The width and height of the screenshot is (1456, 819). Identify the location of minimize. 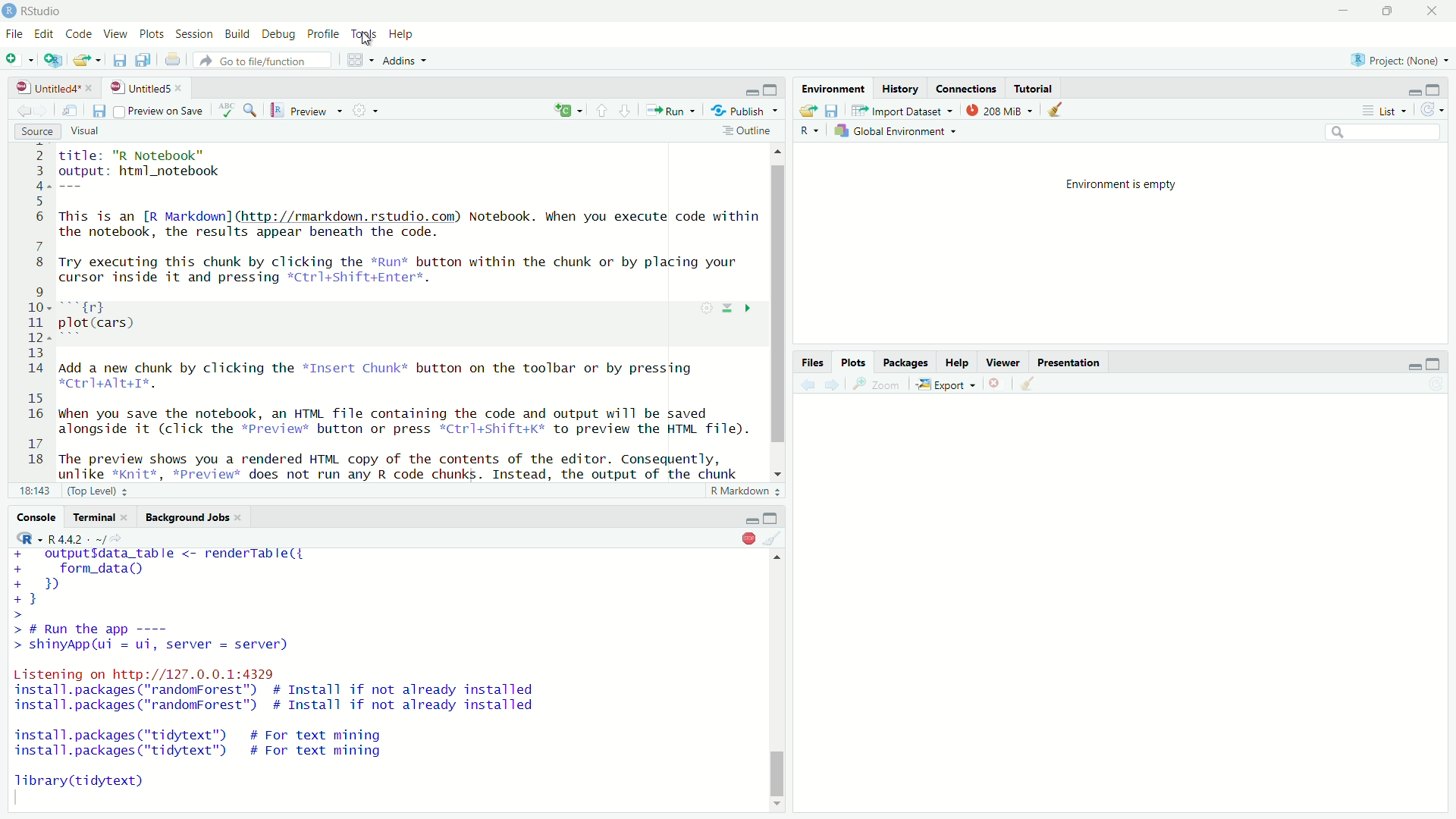
(1413, 365).